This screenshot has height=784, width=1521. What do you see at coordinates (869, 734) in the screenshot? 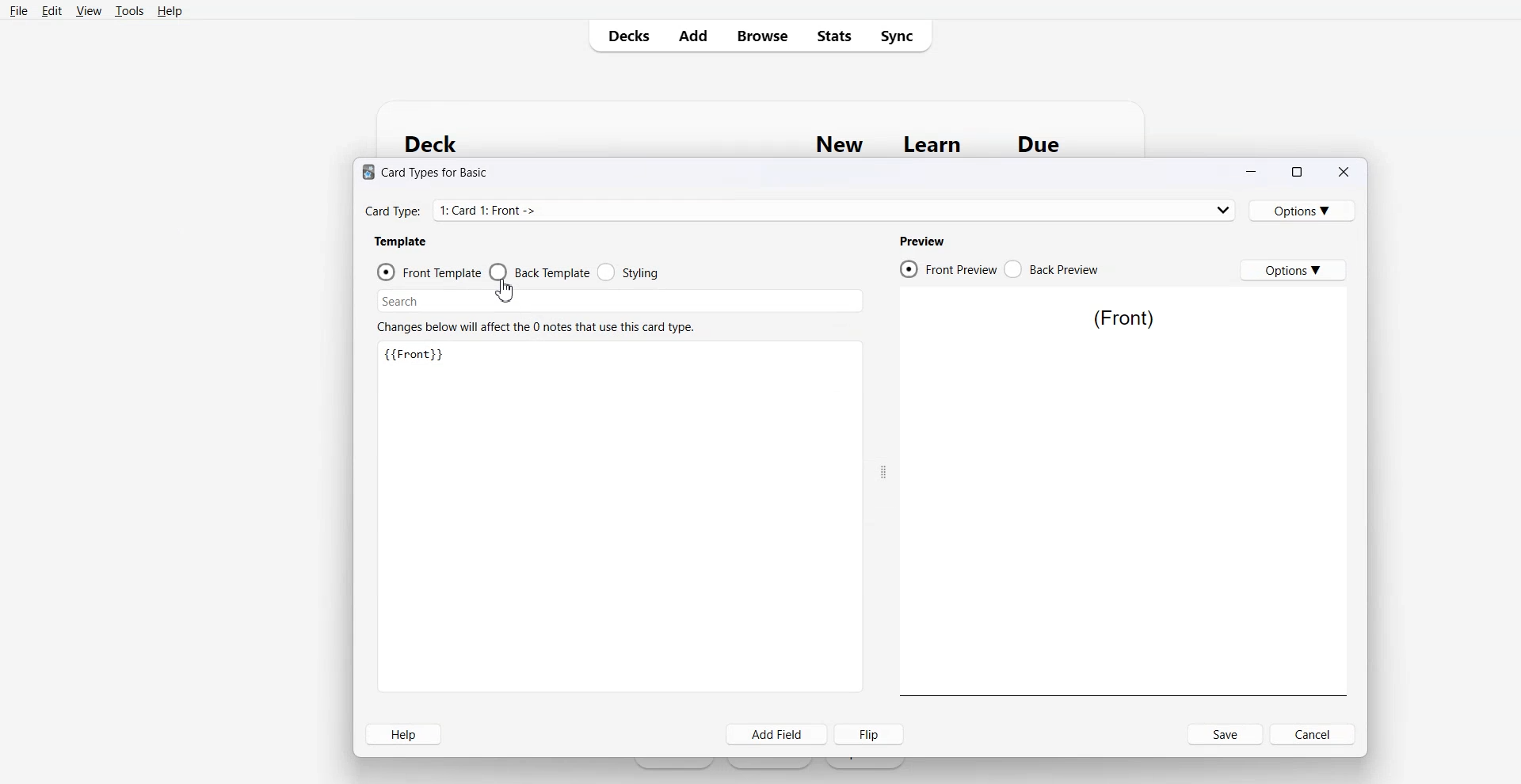
I see `Flip` at bounding box center [869, 734].